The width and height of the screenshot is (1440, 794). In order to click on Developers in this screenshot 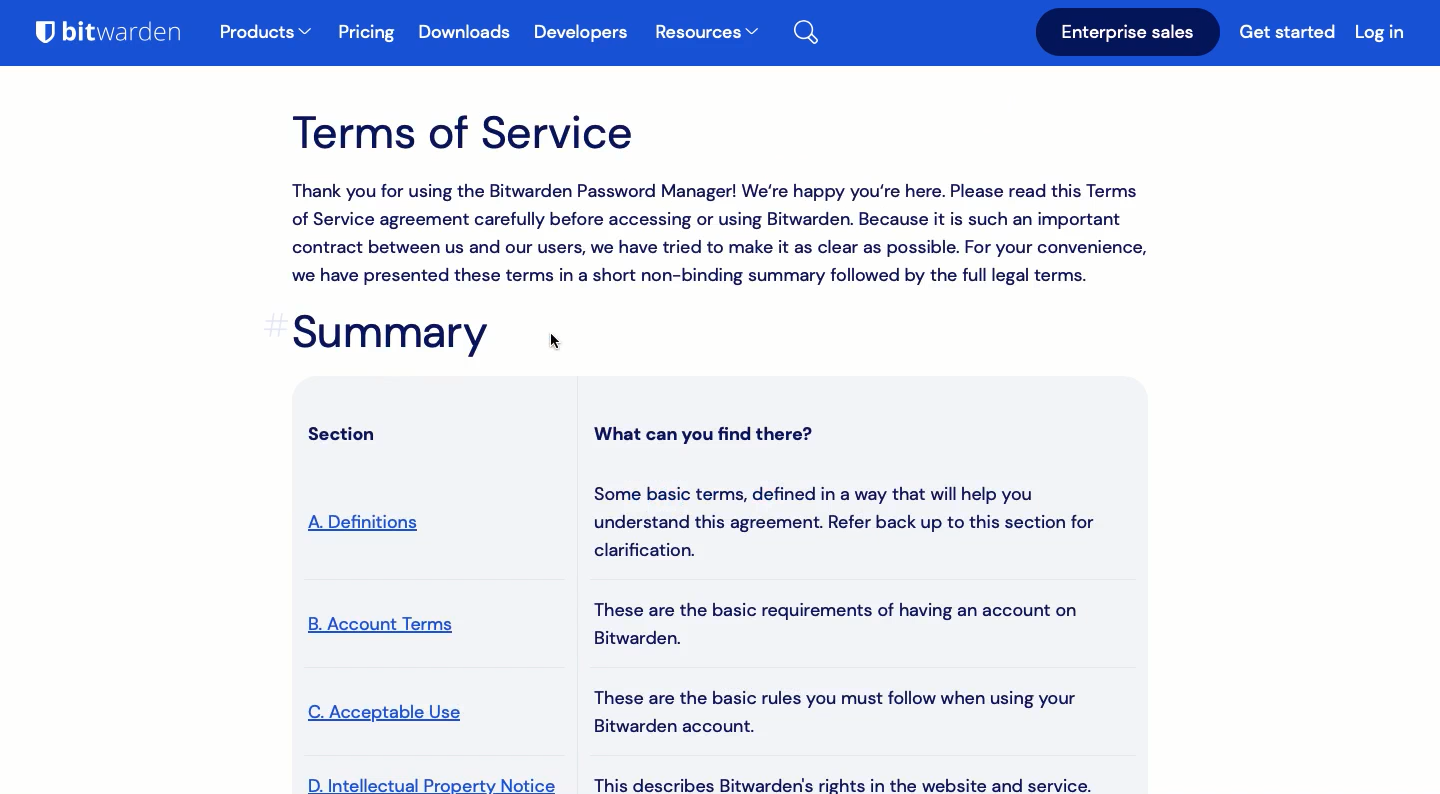, I will do `click(580, 33)`.